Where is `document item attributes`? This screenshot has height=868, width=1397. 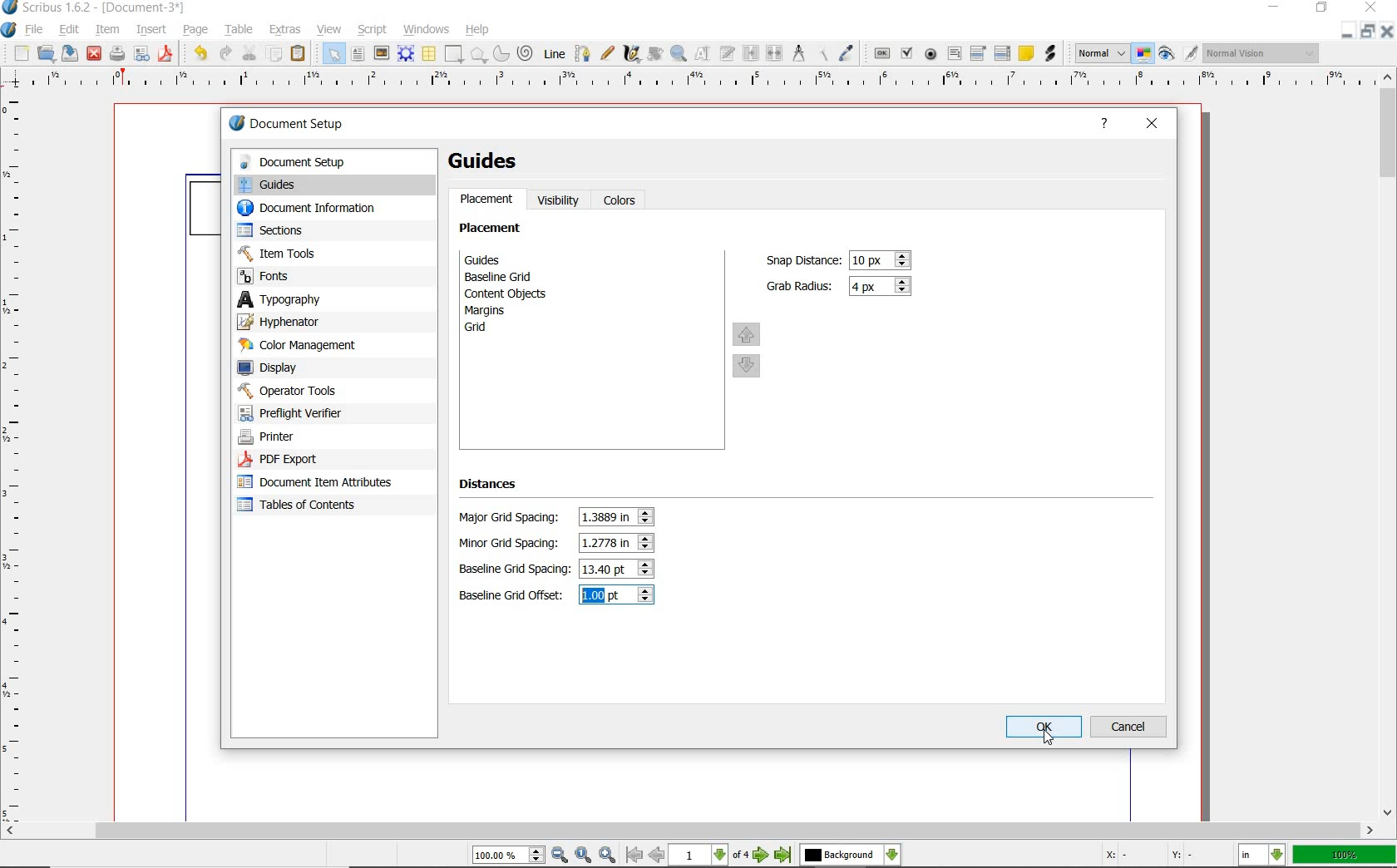
document item attributes is located at coordinates (318, 481).